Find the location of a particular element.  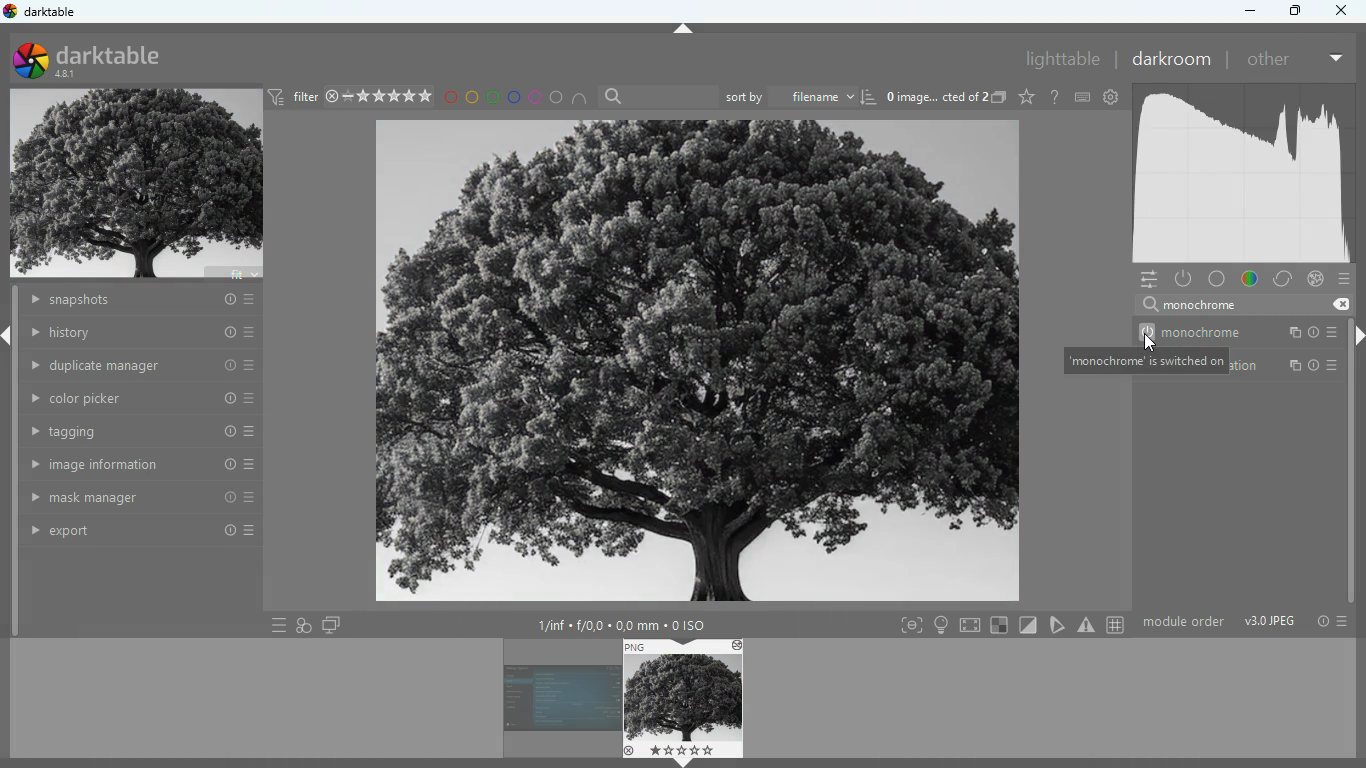

image name is located at coordinates (937, 97).